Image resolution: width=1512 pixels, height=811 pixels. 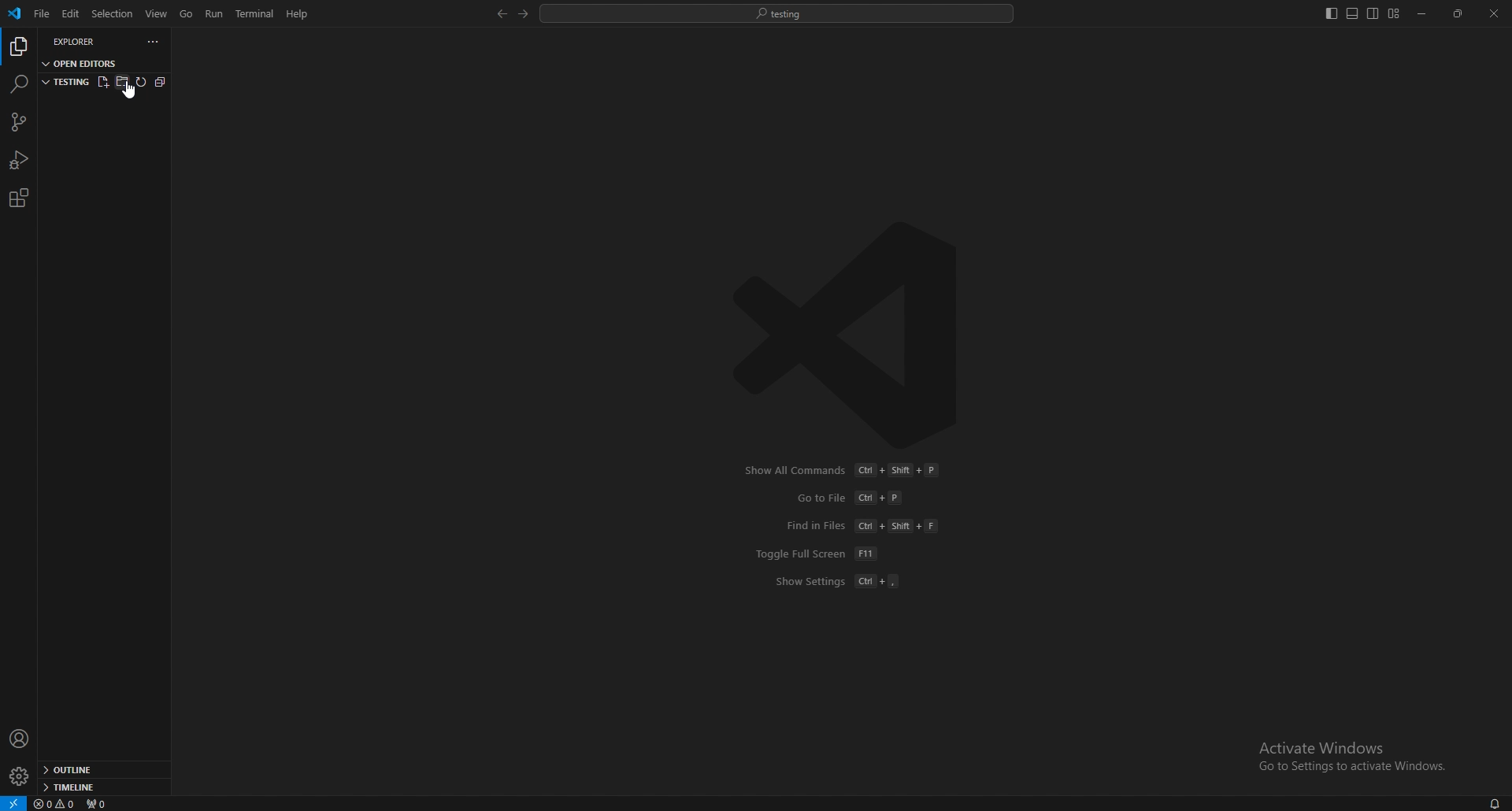 I want to click on search bar, so click(x=777, y=13).